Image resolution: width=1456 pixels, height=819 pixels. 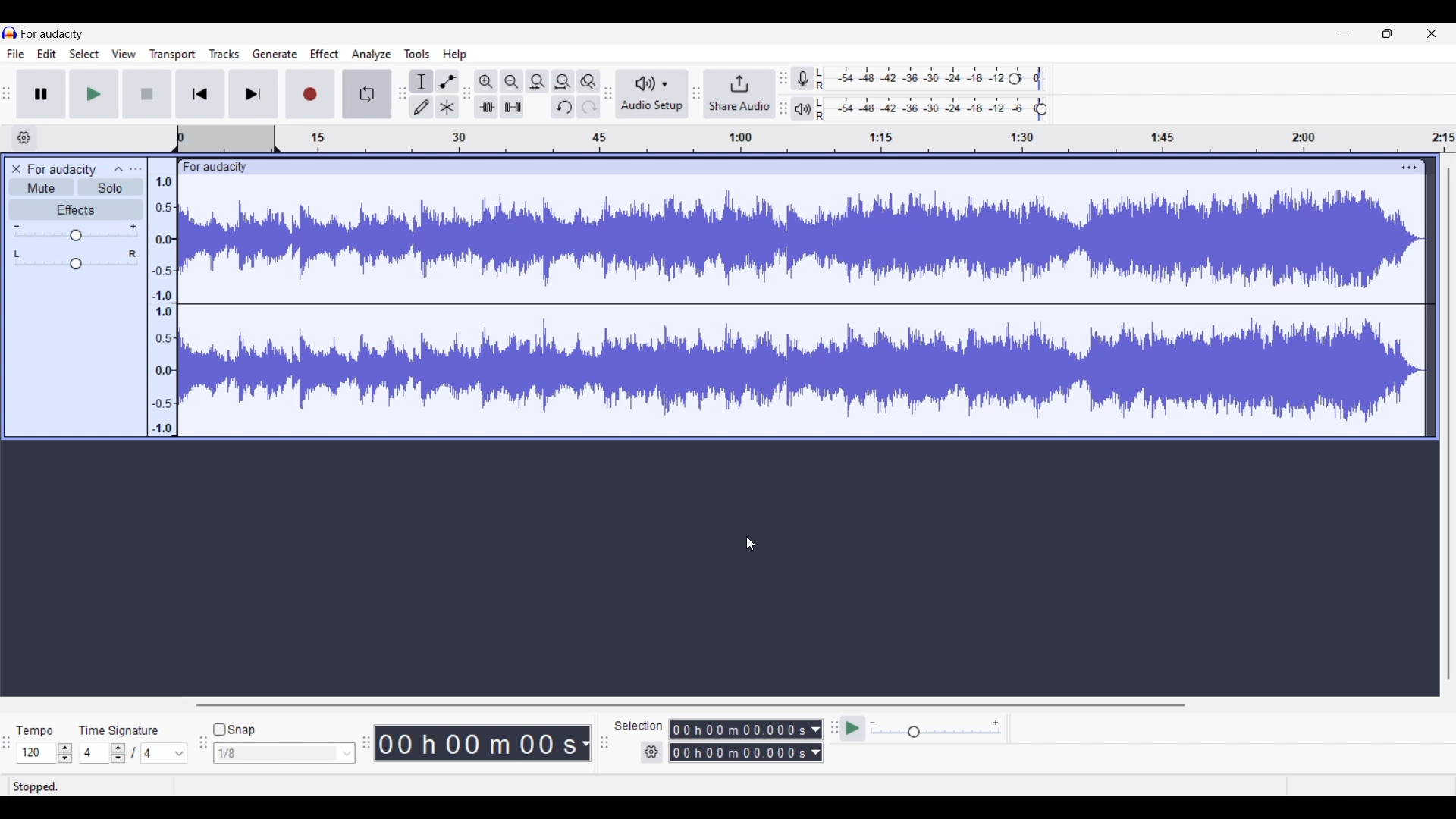 What do you see at coordinates (64, 34) in the screenshot?
I see `Audacity` at bounding box center [64, 34].